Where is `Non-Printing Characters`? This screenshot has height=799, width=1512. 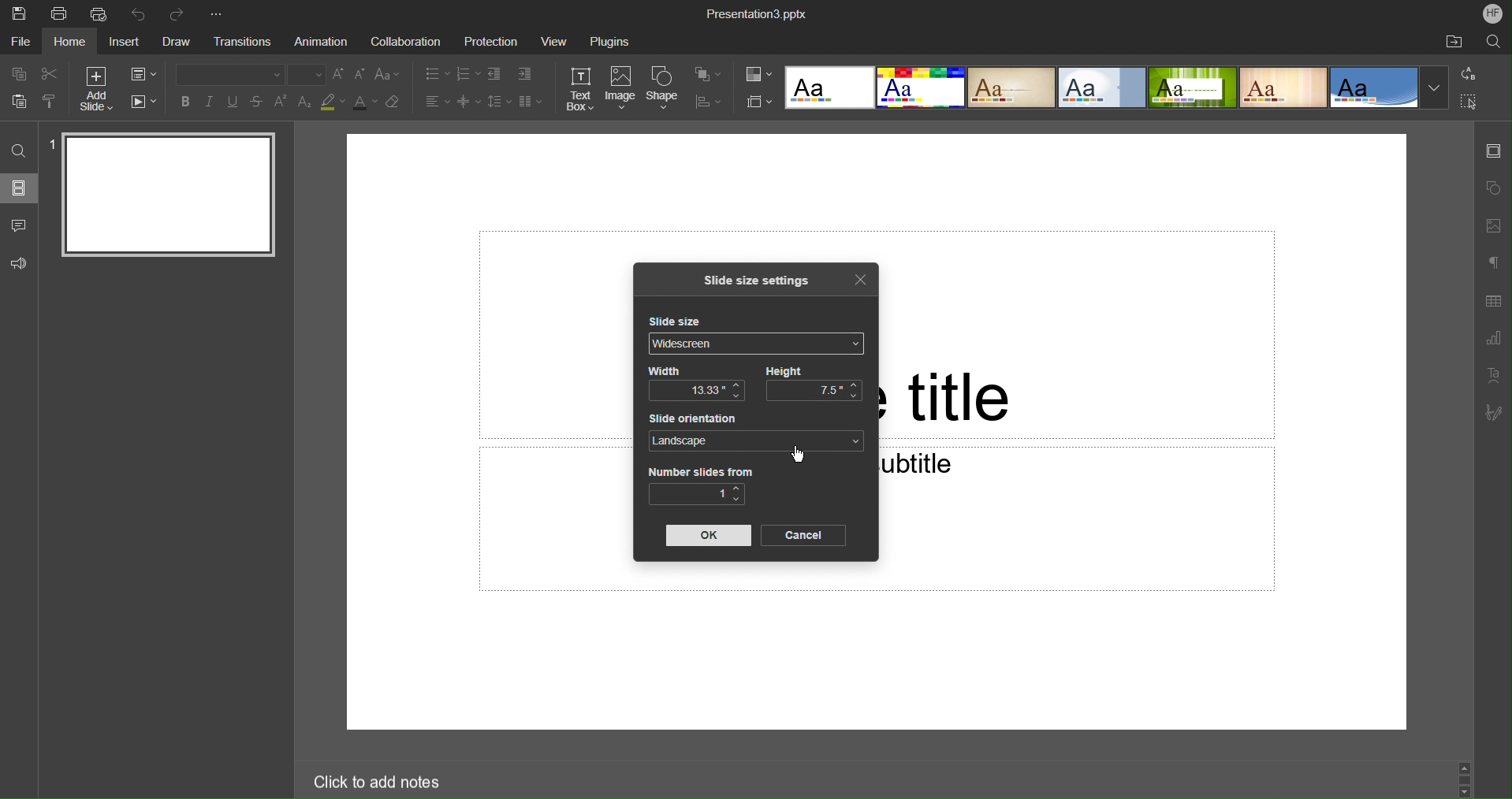 Non-Printing Characters is located at coordinates (1493, 262).